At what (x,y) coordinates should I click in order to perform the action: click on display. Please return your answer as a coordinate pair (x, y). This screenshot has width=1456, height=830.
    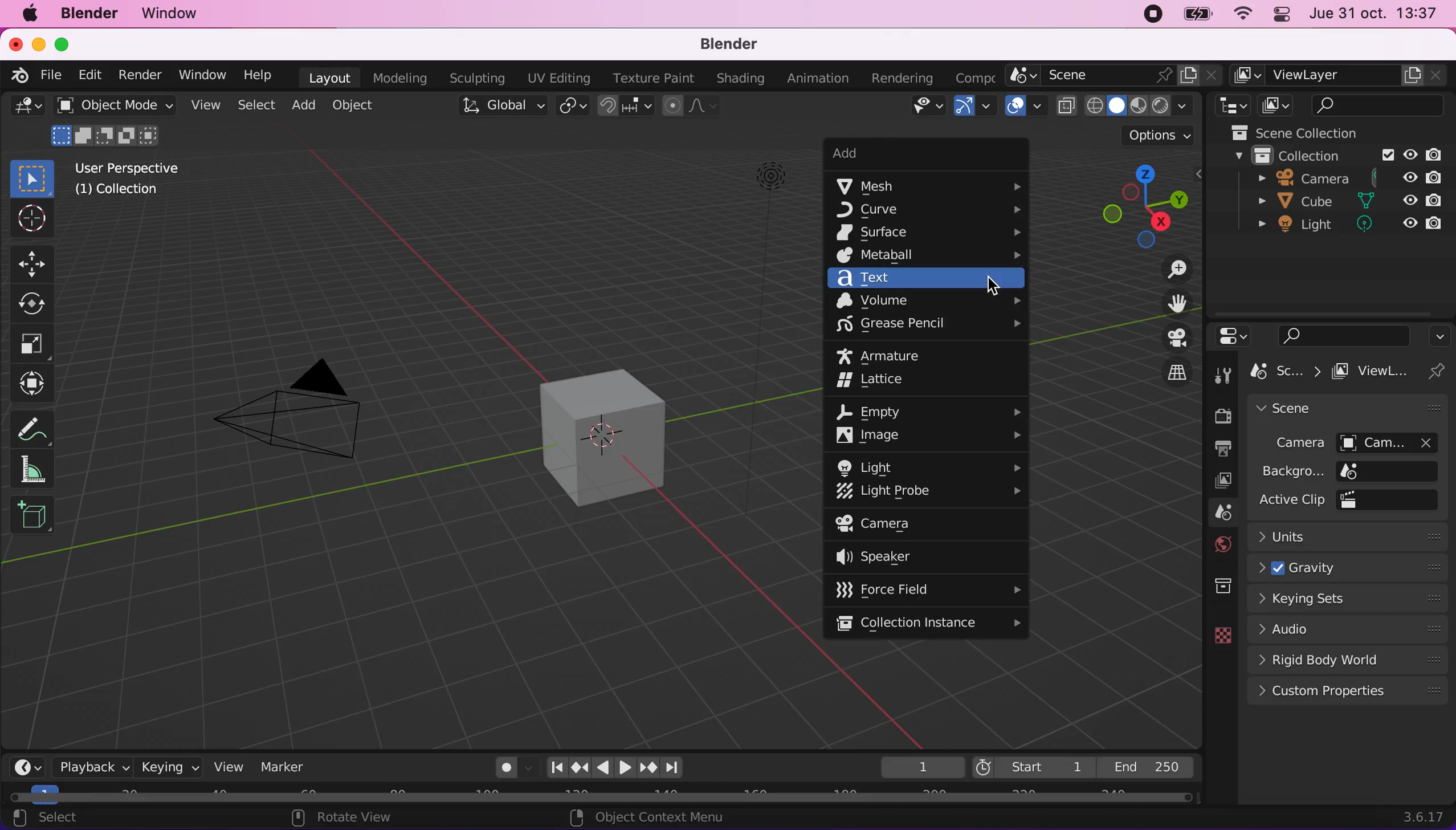
    Looking at the image, I should click on (1213, 481).